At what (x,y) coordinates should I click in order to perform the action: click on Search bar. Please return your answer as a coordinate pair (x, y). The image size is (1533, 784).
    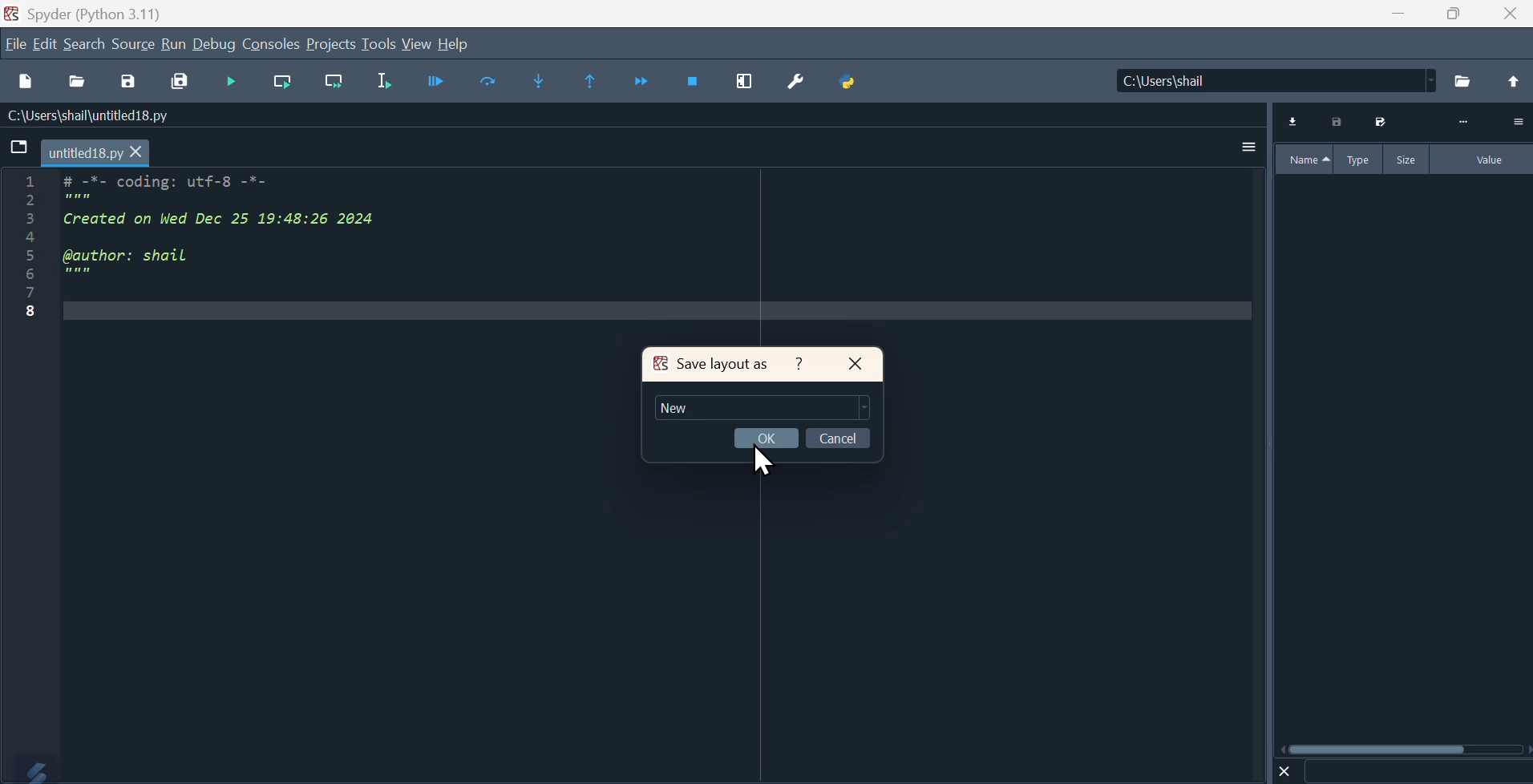
    Looking at the image, I should click on (1417, 772).